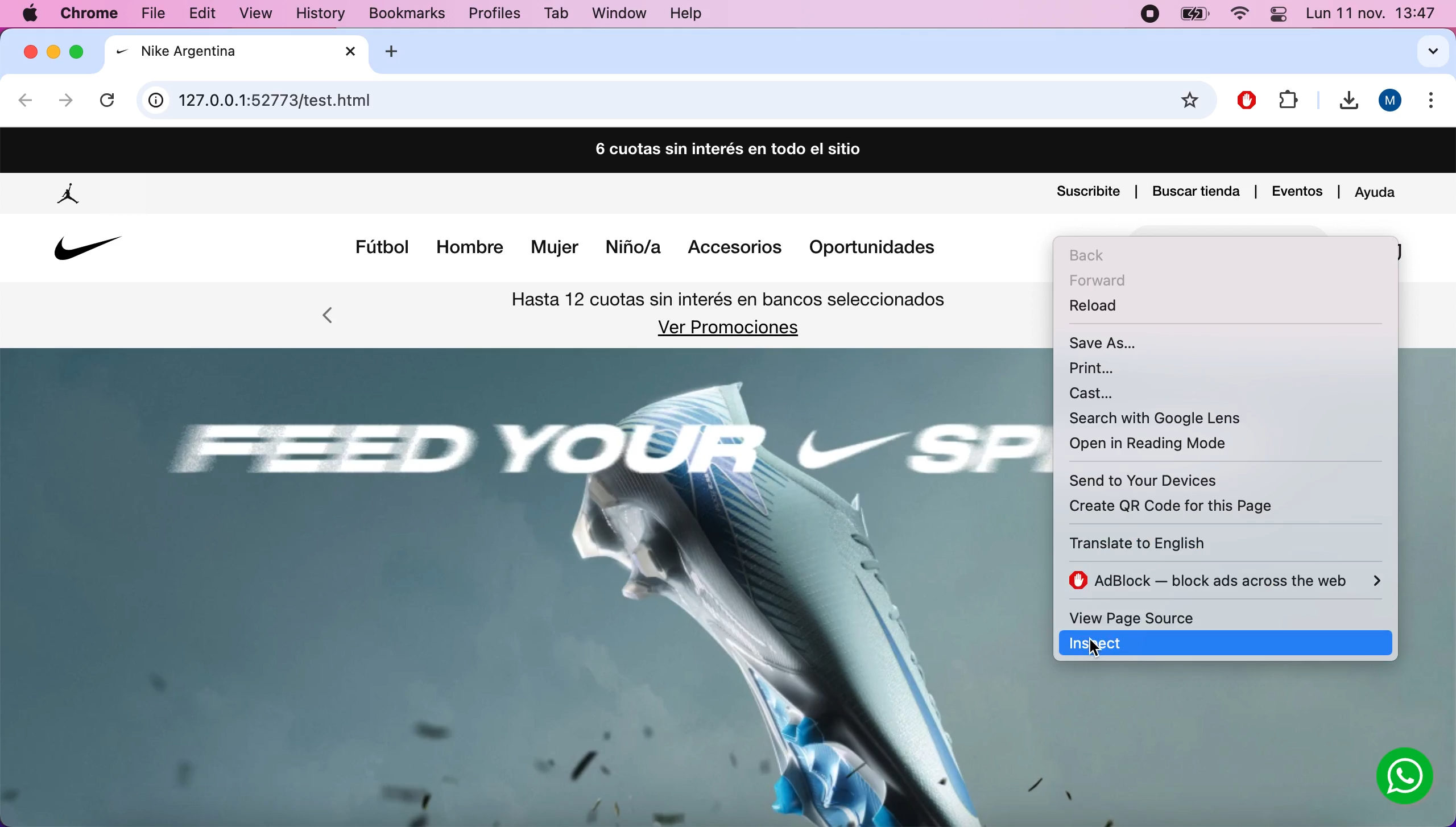  Describe the element at coordinates (1186, 479) in the screenshot. I see `send to your devices` at that location.